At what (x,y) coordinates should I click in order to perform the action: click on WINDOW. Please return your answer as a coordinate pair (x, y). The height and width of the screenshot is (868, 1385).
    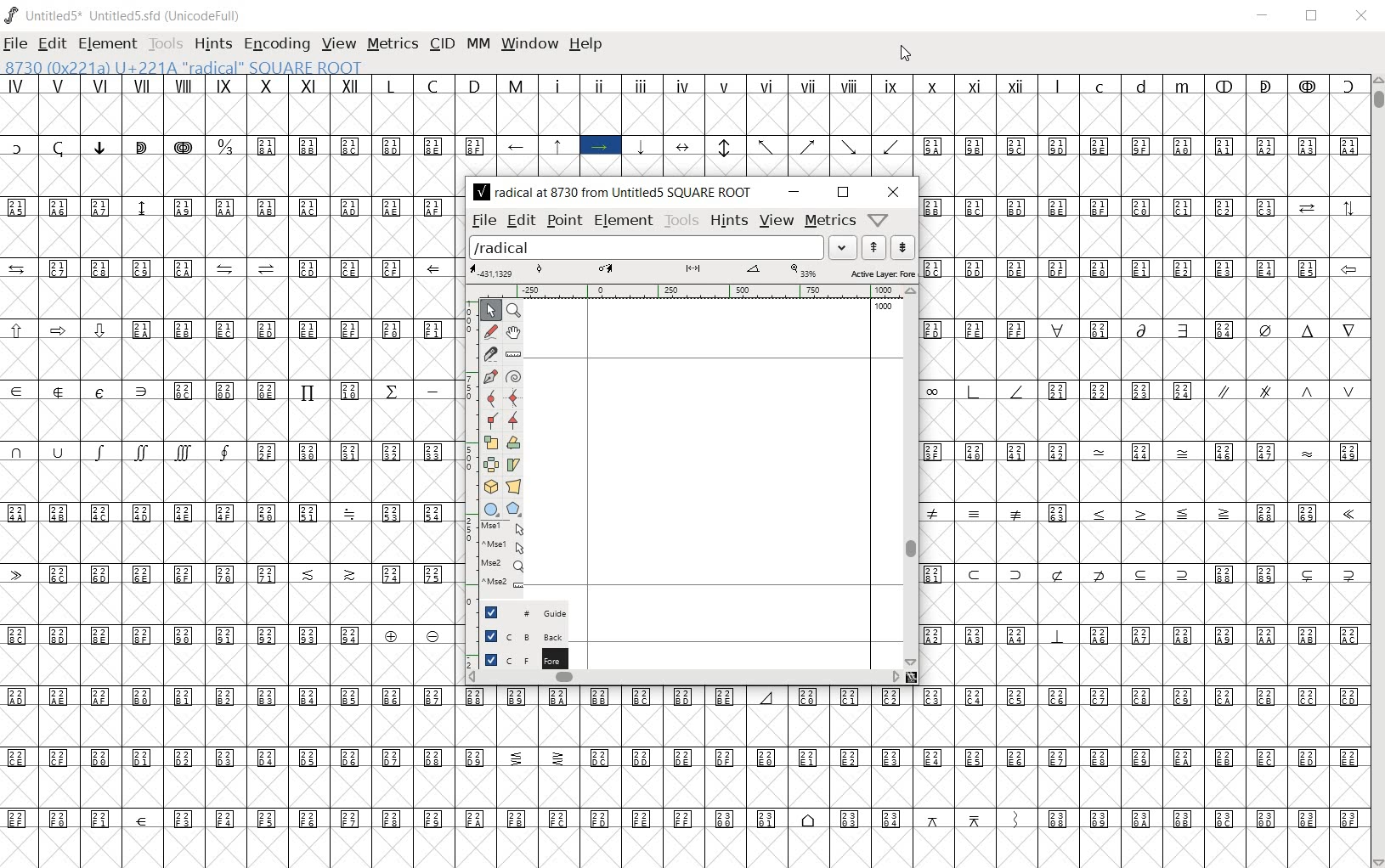
    Looking at the image, I should click on (530, 45).